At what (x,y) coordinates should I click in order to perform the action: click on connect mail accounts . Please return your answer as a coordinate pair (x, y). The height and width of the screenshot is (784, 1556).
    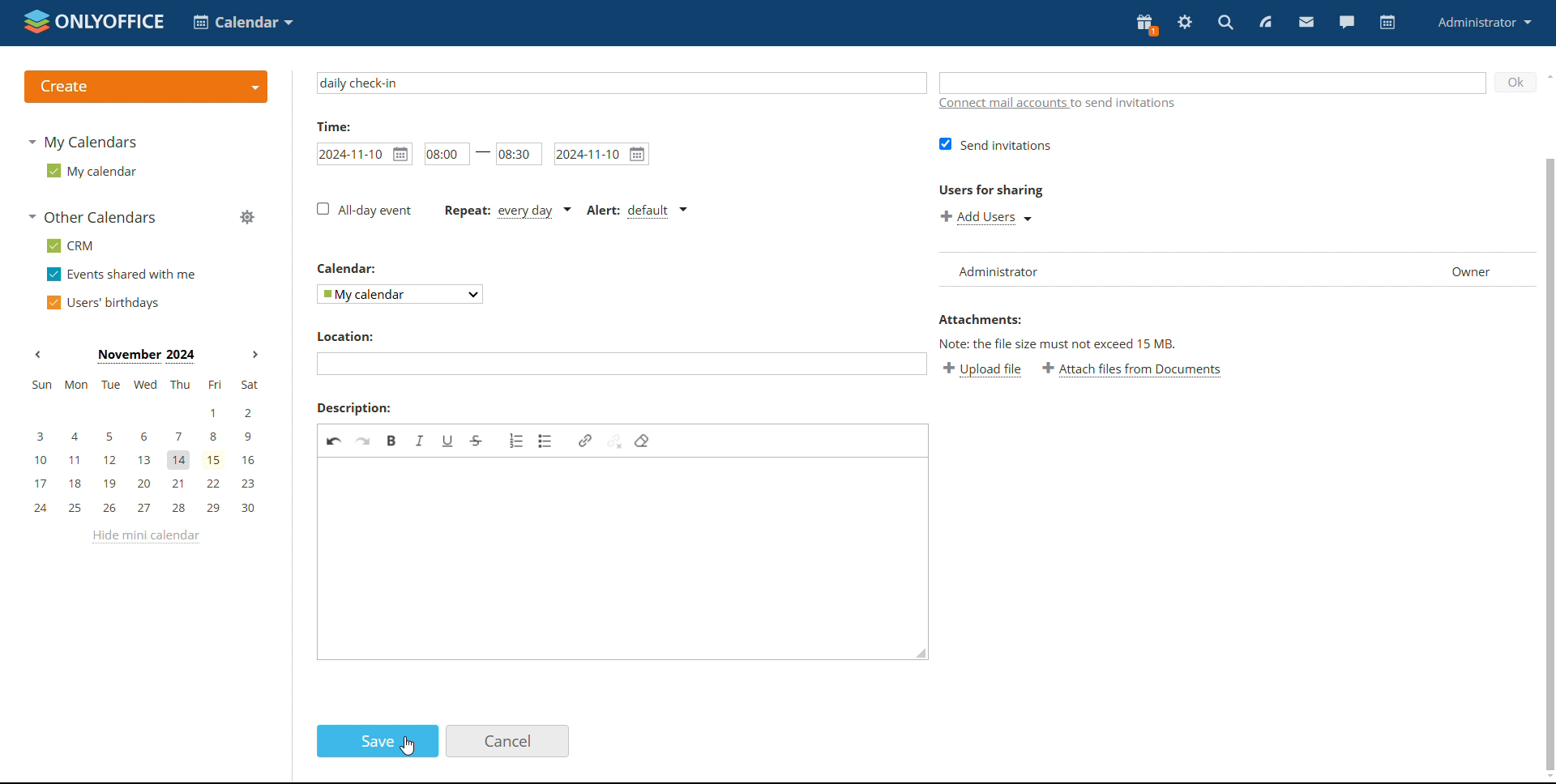
    Looking at the image, I should click on (1070, 104).